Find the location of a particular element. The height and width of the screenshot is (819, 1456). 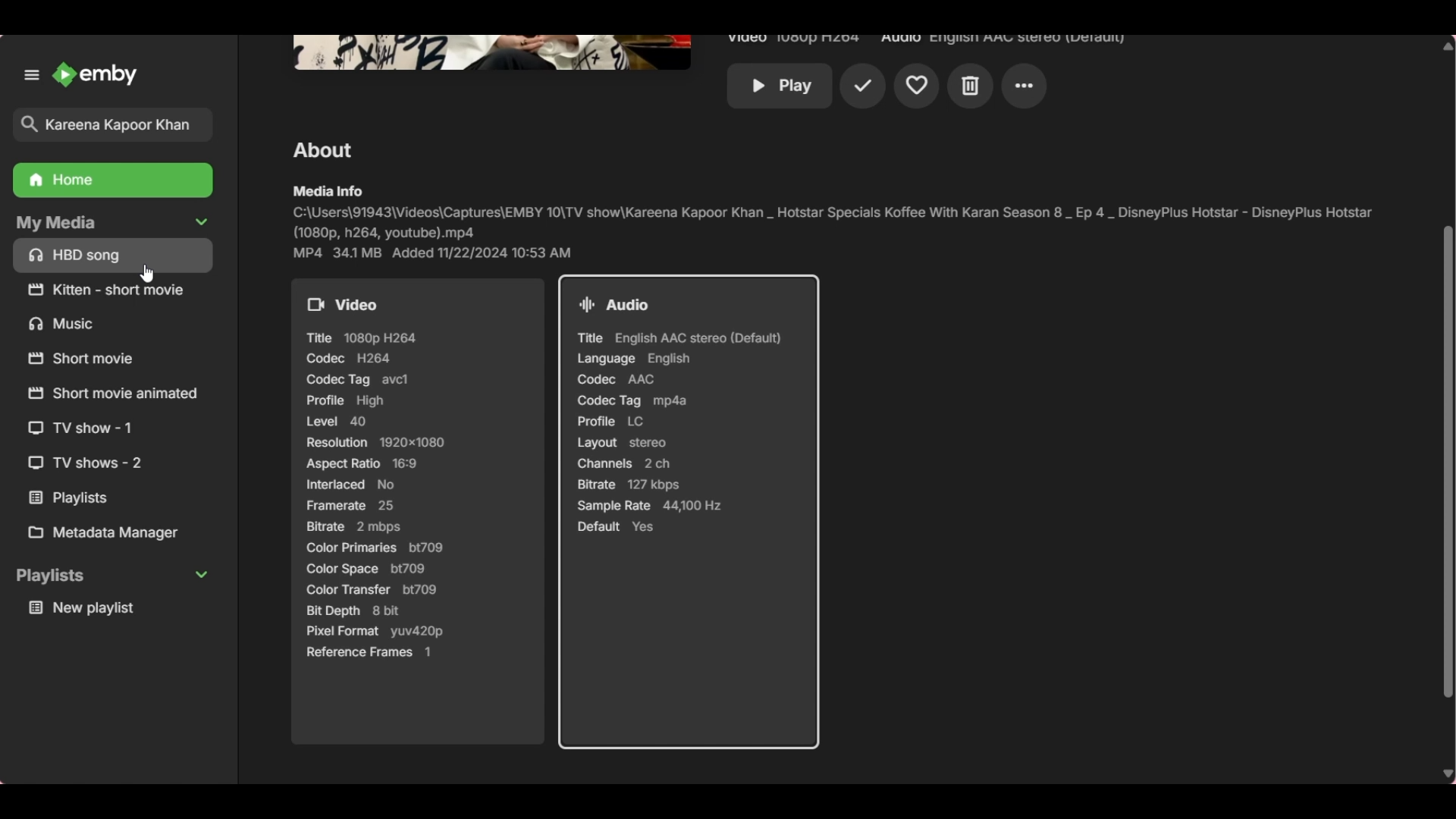

 is located at coordinates (99, 464).